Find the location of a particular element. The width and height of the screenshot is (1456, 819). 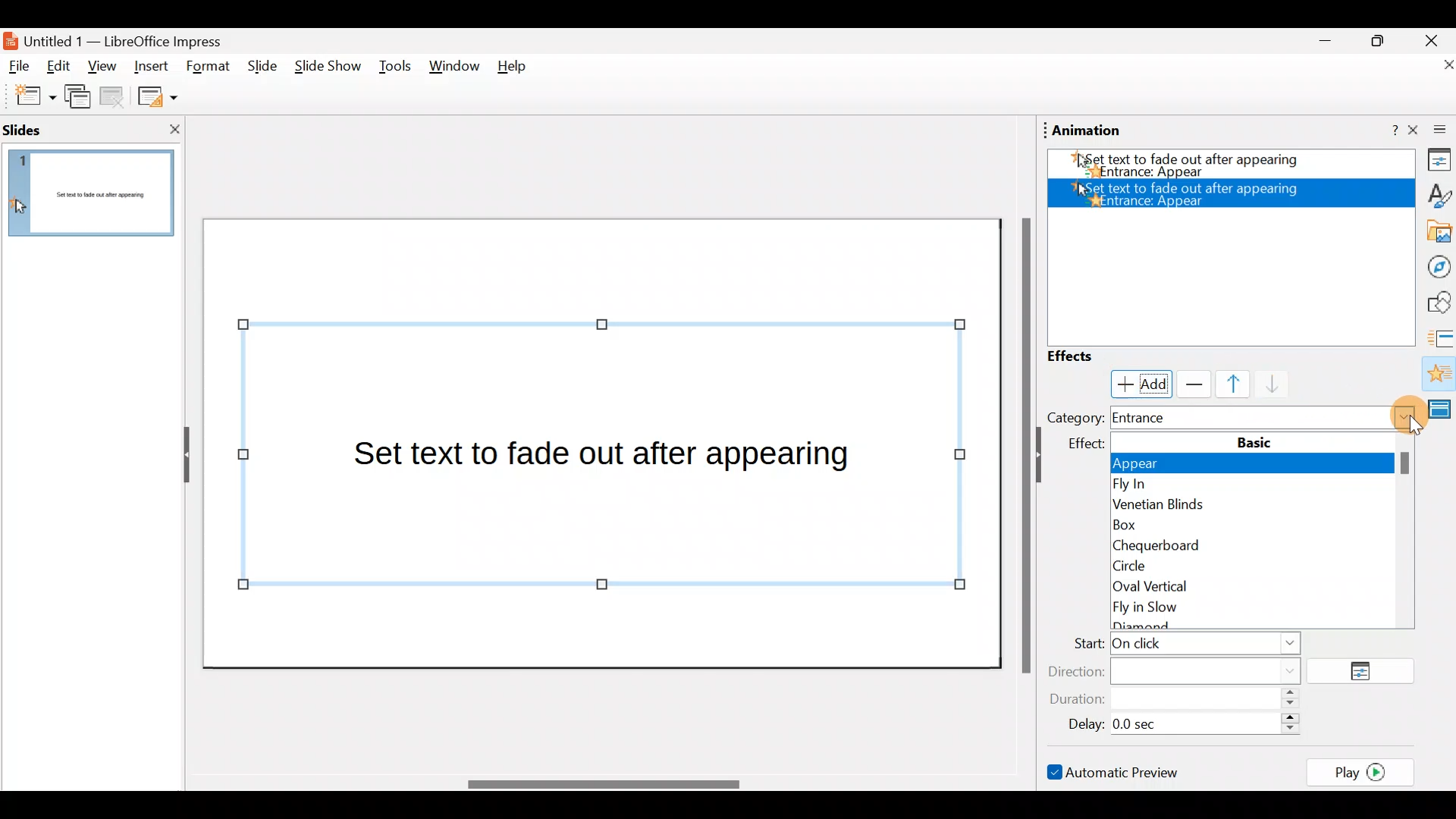

Close sidebar deck is located at coordinates (1433, 130).